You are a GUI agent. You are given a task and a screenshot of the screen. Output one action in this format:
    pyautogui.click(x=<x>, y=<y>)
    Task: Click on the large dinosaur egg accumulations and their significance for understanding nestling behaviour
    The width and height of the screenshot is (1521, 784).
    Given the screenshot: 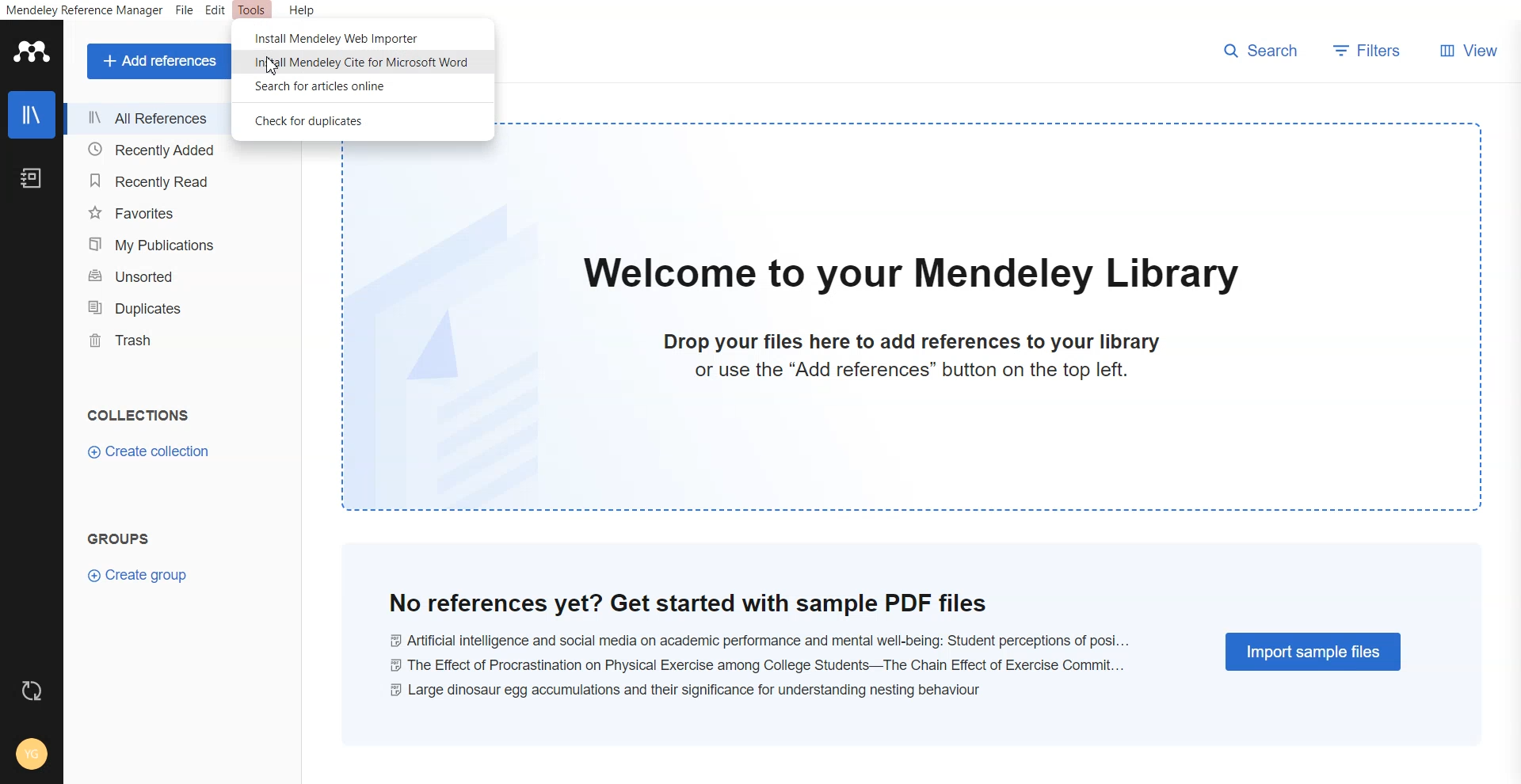 What is the action you would take?
    pyautogui.click(x=687, y=691)
    